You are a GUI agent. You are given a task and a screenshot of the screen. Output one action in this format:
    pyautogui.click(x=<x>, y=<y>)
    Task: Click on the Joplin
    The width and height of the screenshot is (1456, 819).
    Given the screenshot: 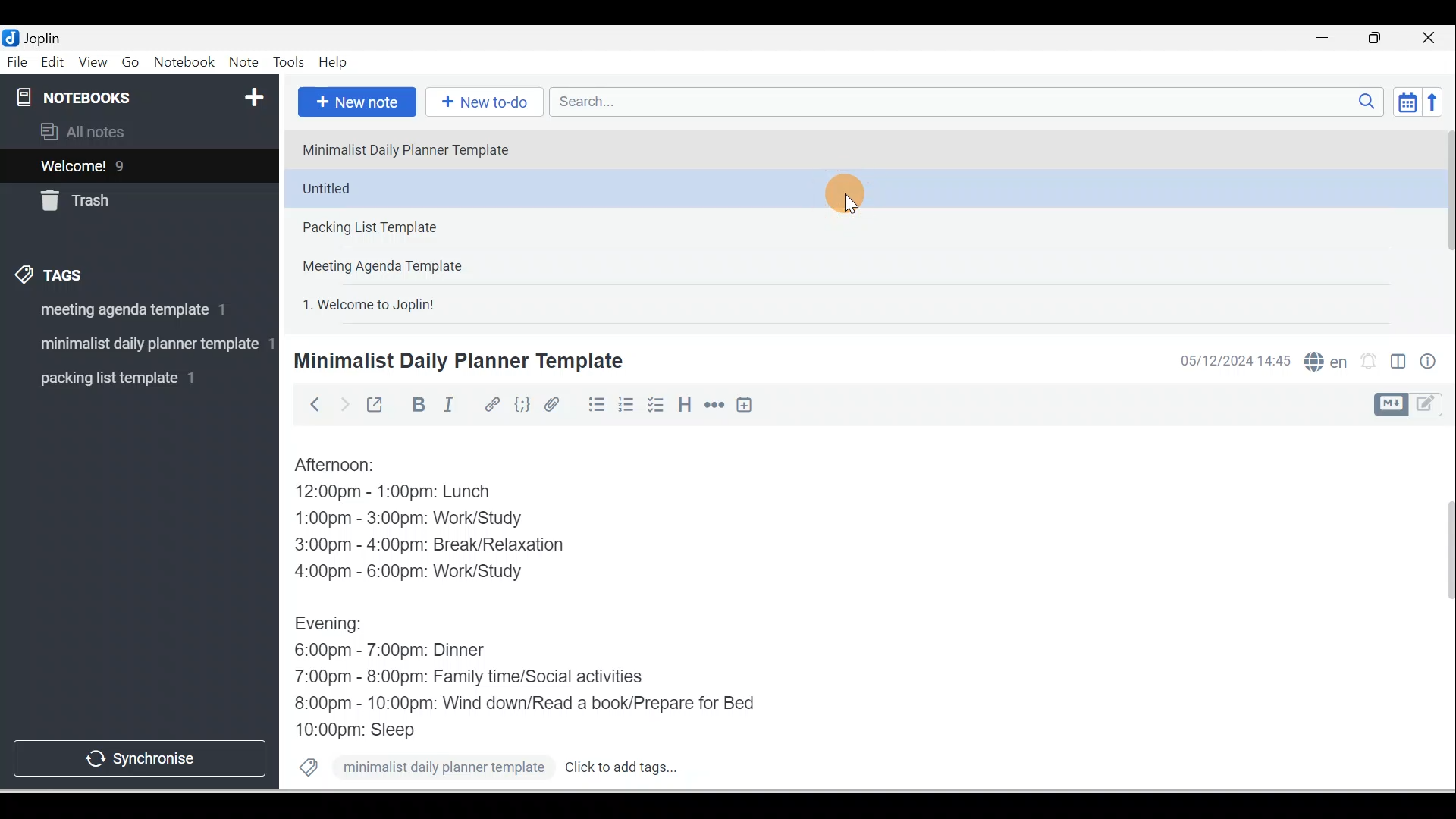 What is the action you would take?
    pyautogui.click(x=46, y=36)
    